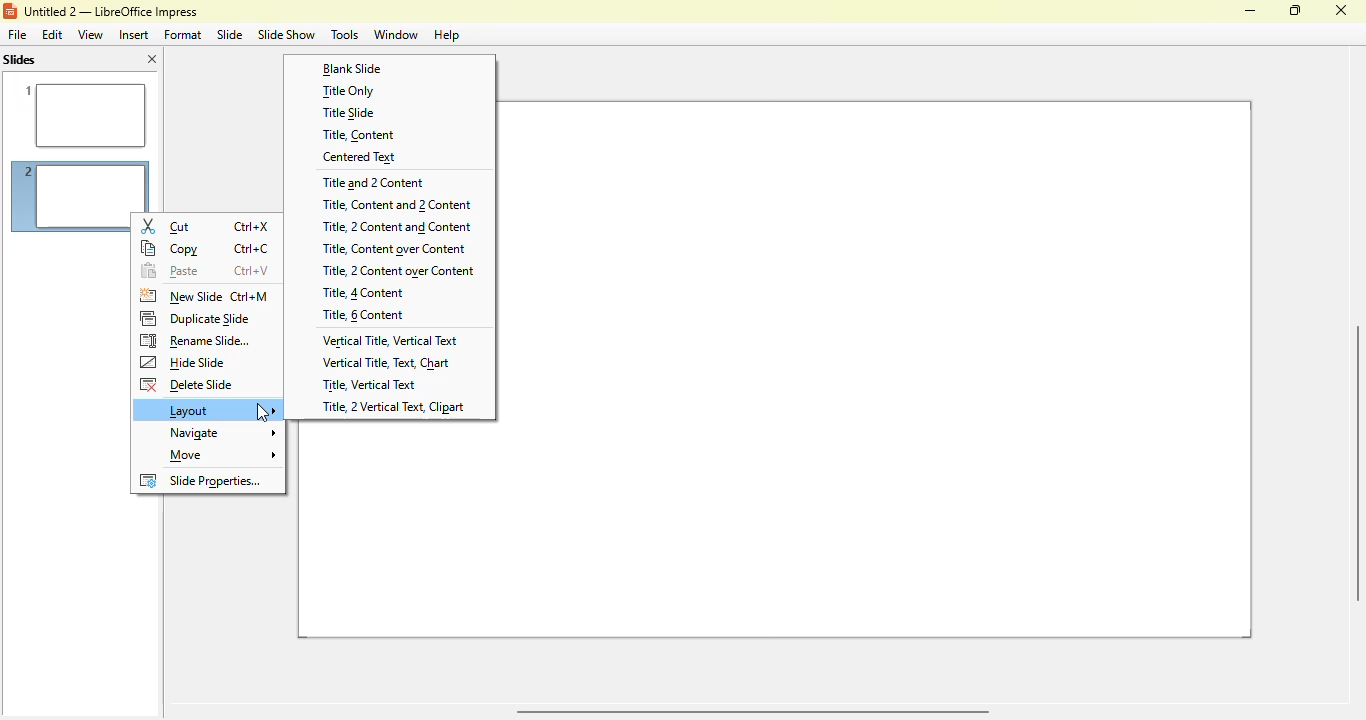  Describe the element at coordinates (195, 318) in the screenshot. I see `duplicate slide` at that location.